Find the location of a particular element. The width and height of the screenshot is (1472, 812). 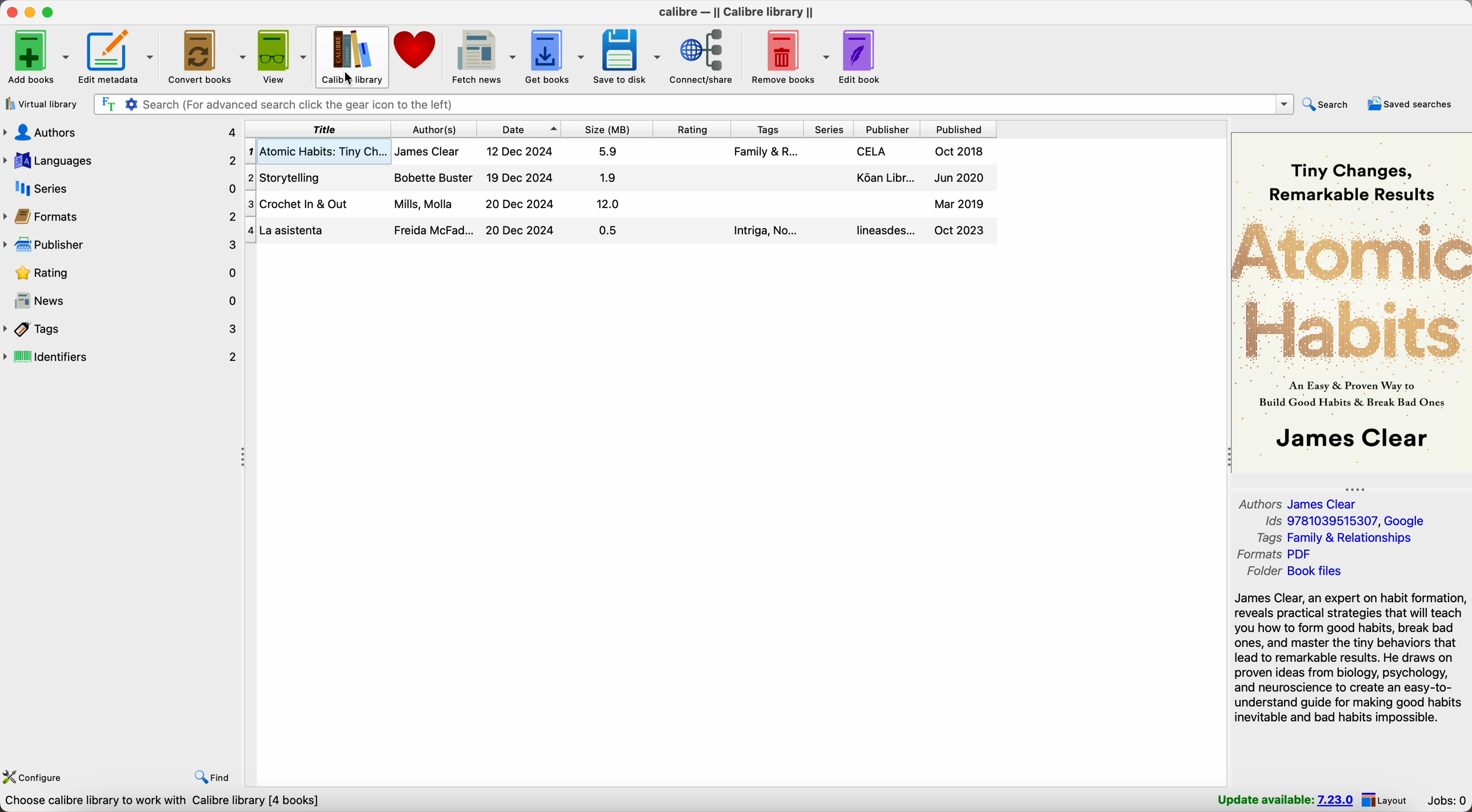

Crochet In & Out book is located at coordinates (623, 205).